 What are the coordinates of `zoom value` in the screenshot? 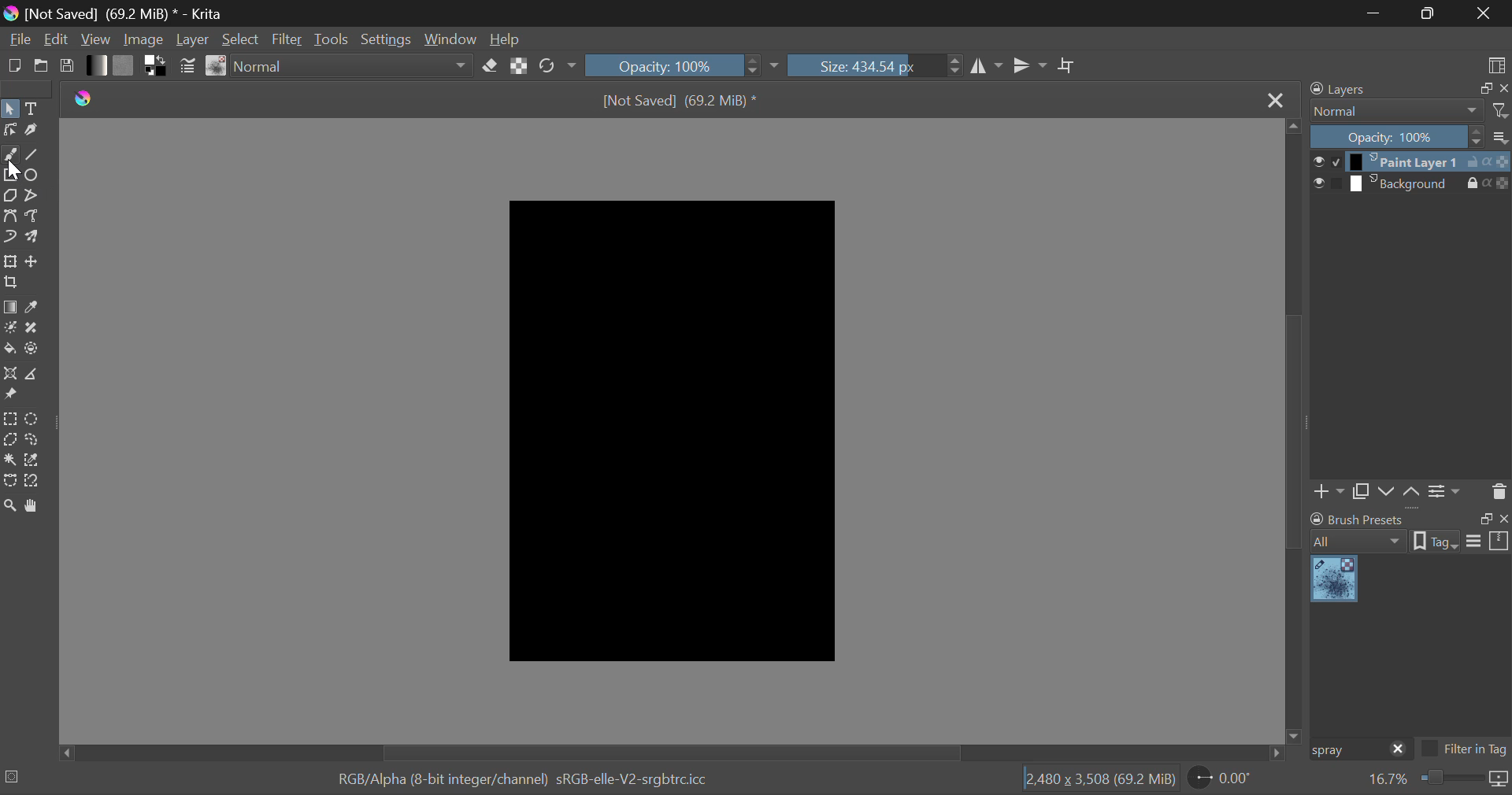 It's located at (1388, 780).